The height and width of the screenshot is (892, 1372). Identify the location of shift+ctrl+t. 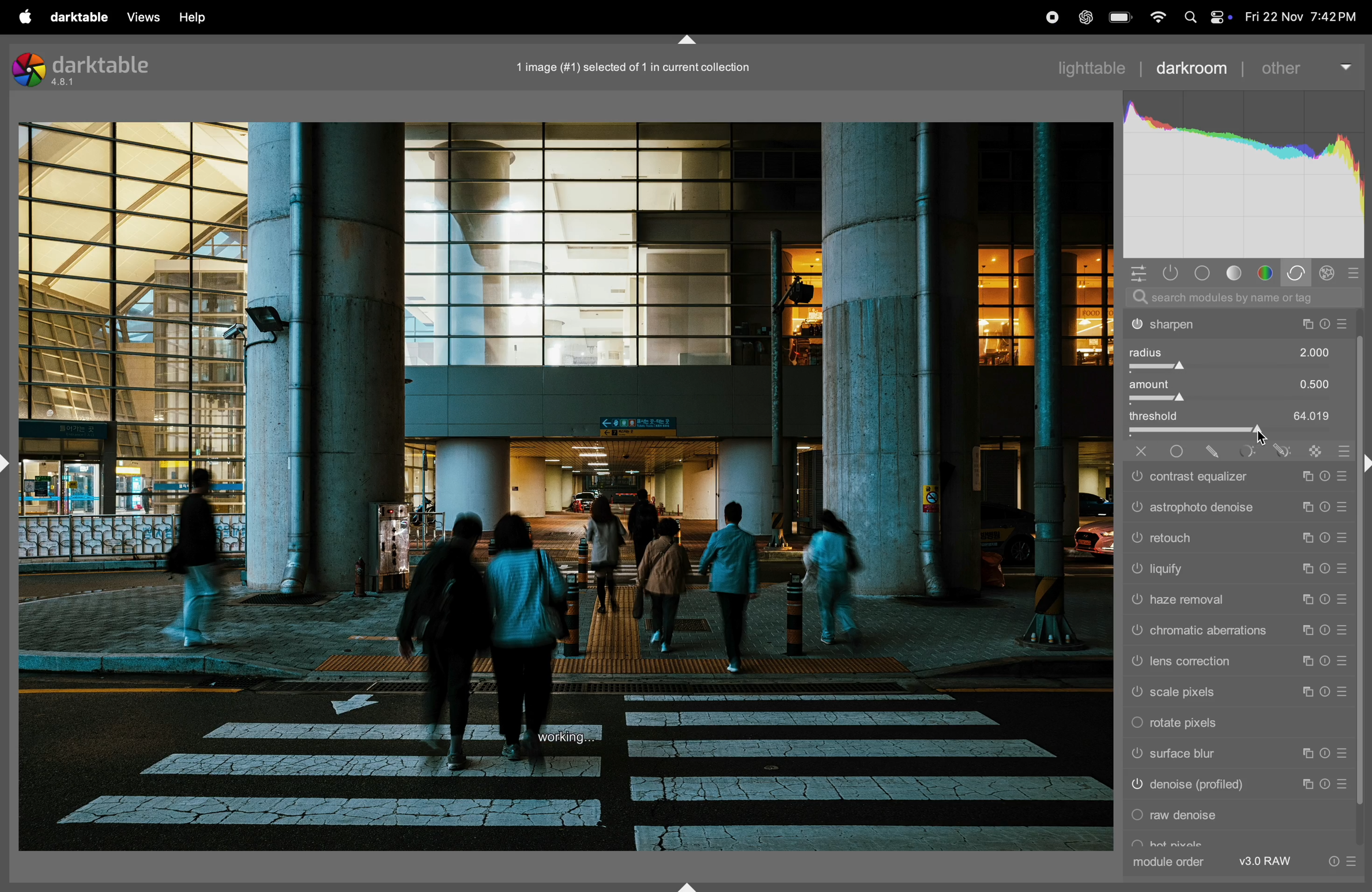
(689, 40).